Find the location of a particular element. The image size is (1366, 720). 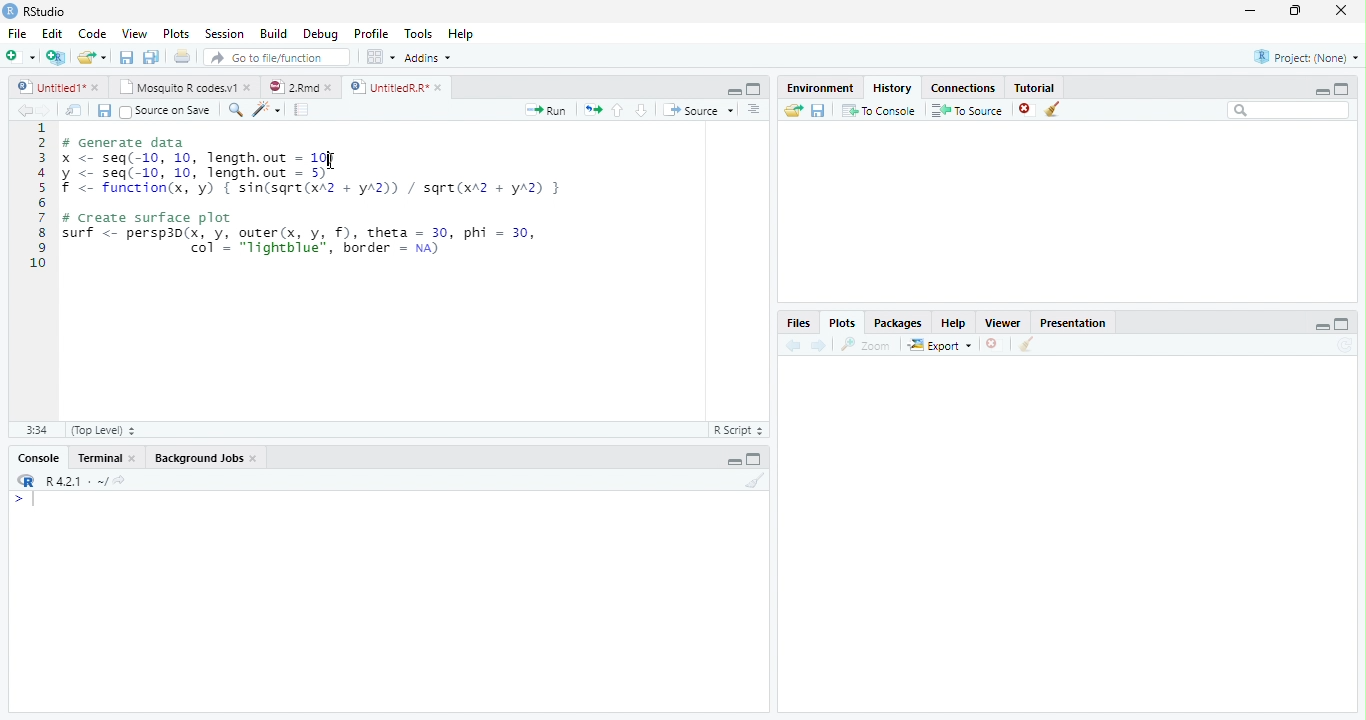

History is located at coordinates (893, 87).